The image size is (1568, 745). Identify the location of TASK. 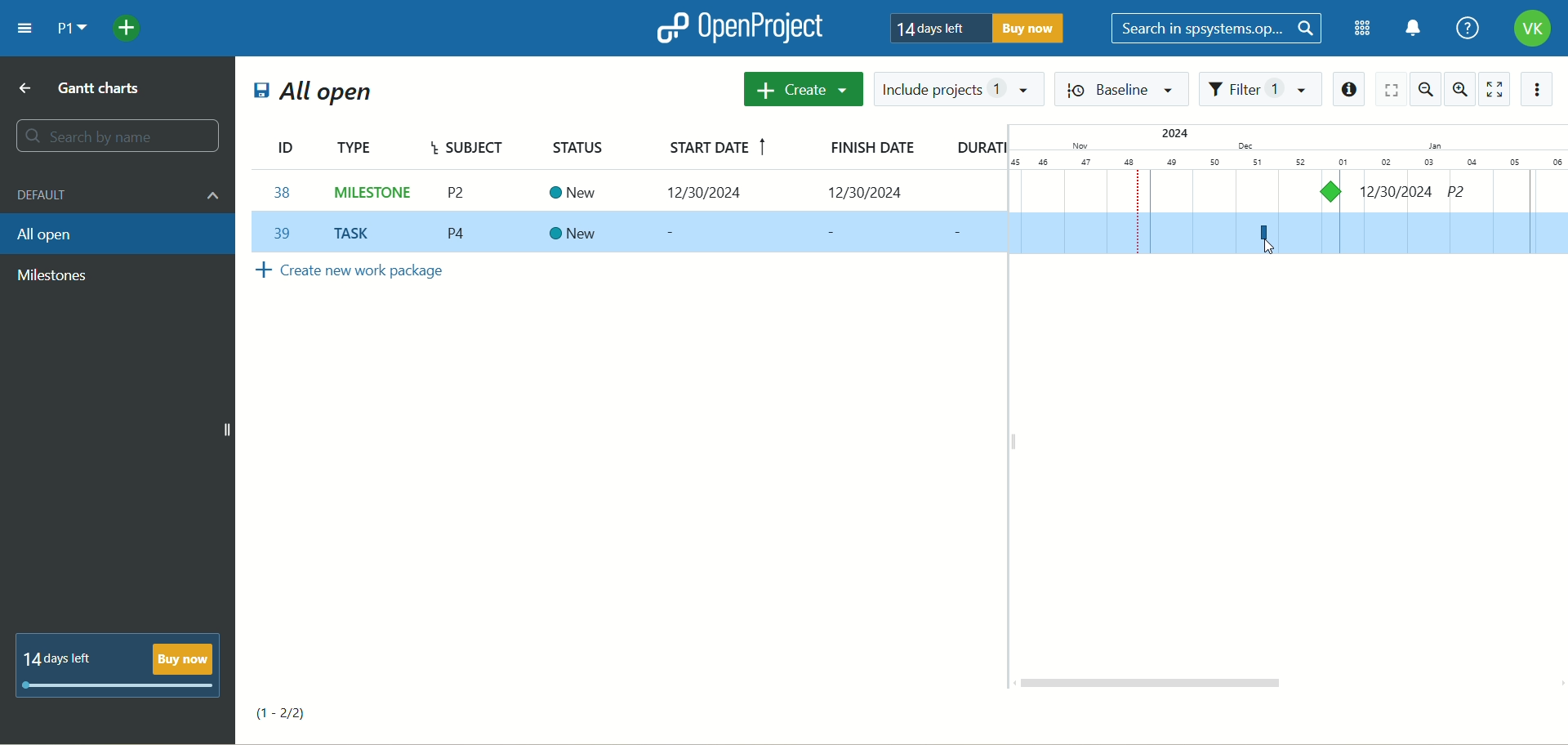
(357, 230).